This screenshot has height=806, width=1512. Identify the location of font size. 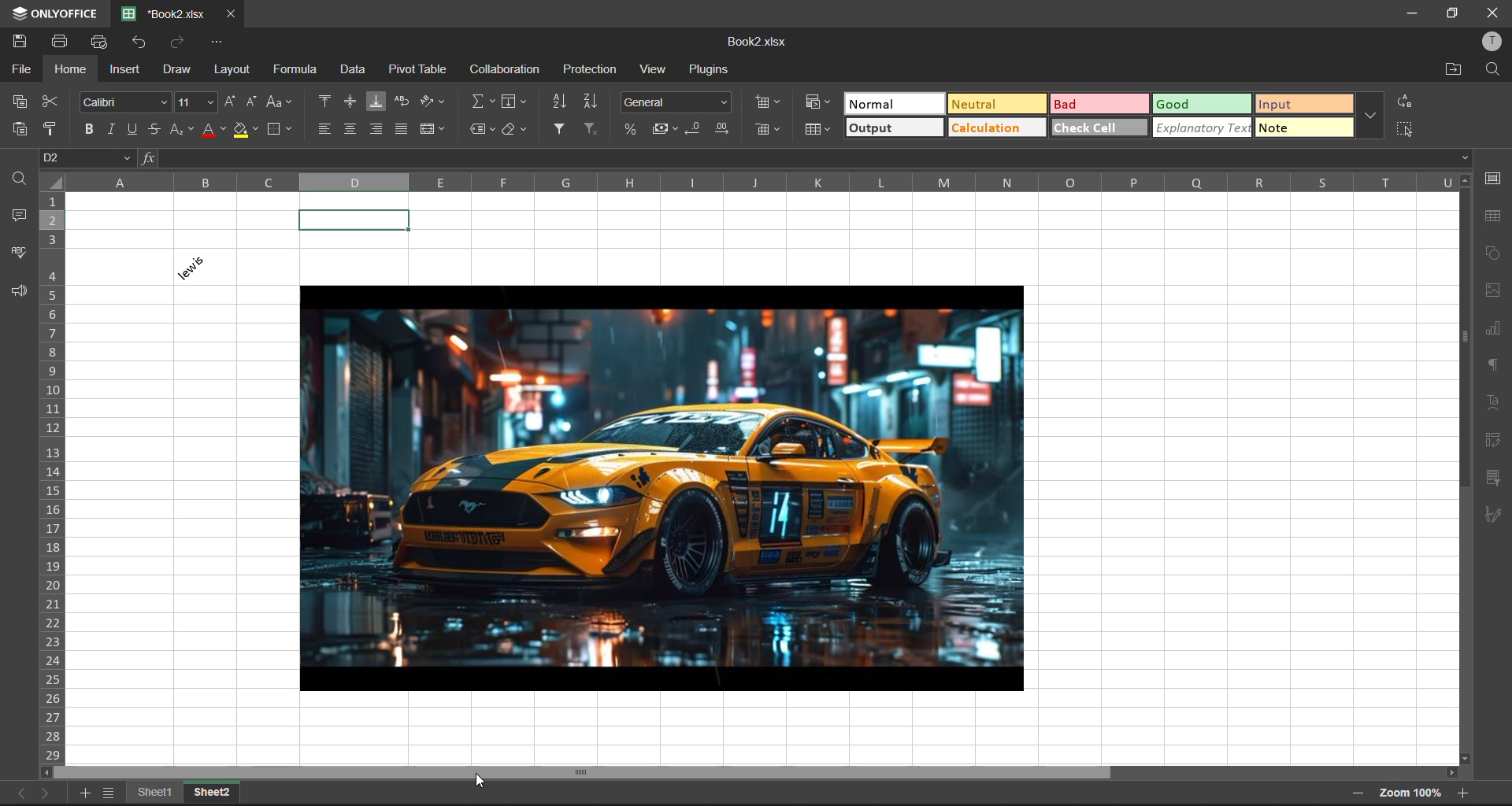
(197, 102).